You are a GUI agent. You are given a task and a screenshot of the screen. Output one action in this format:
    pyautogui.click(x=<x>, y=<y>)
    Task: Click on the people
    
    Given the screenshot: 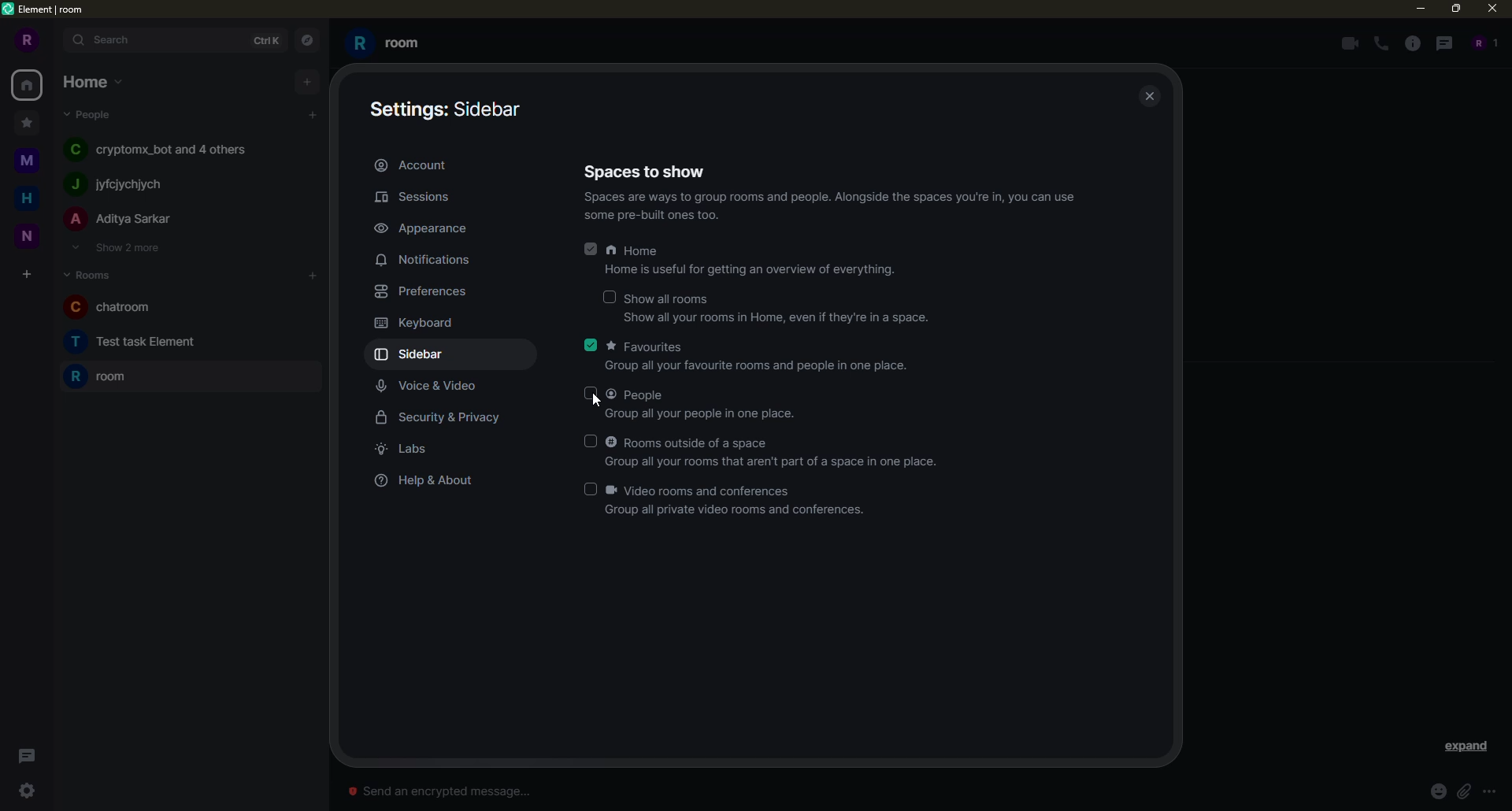 What is the action you would take?
    pyautogui.click(x=1482, y=43)
    